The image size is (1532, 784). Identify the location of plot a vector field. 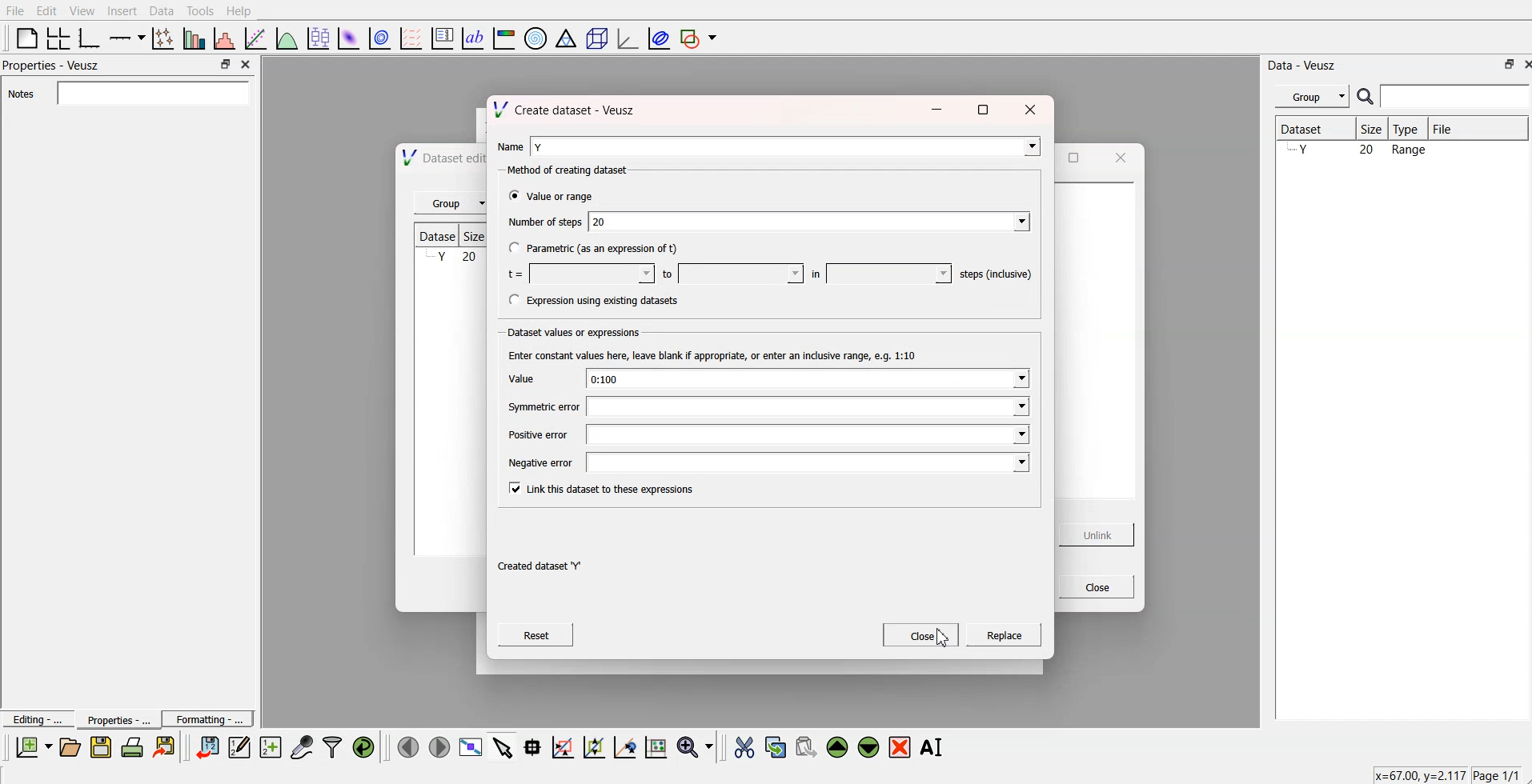
(413, 38).